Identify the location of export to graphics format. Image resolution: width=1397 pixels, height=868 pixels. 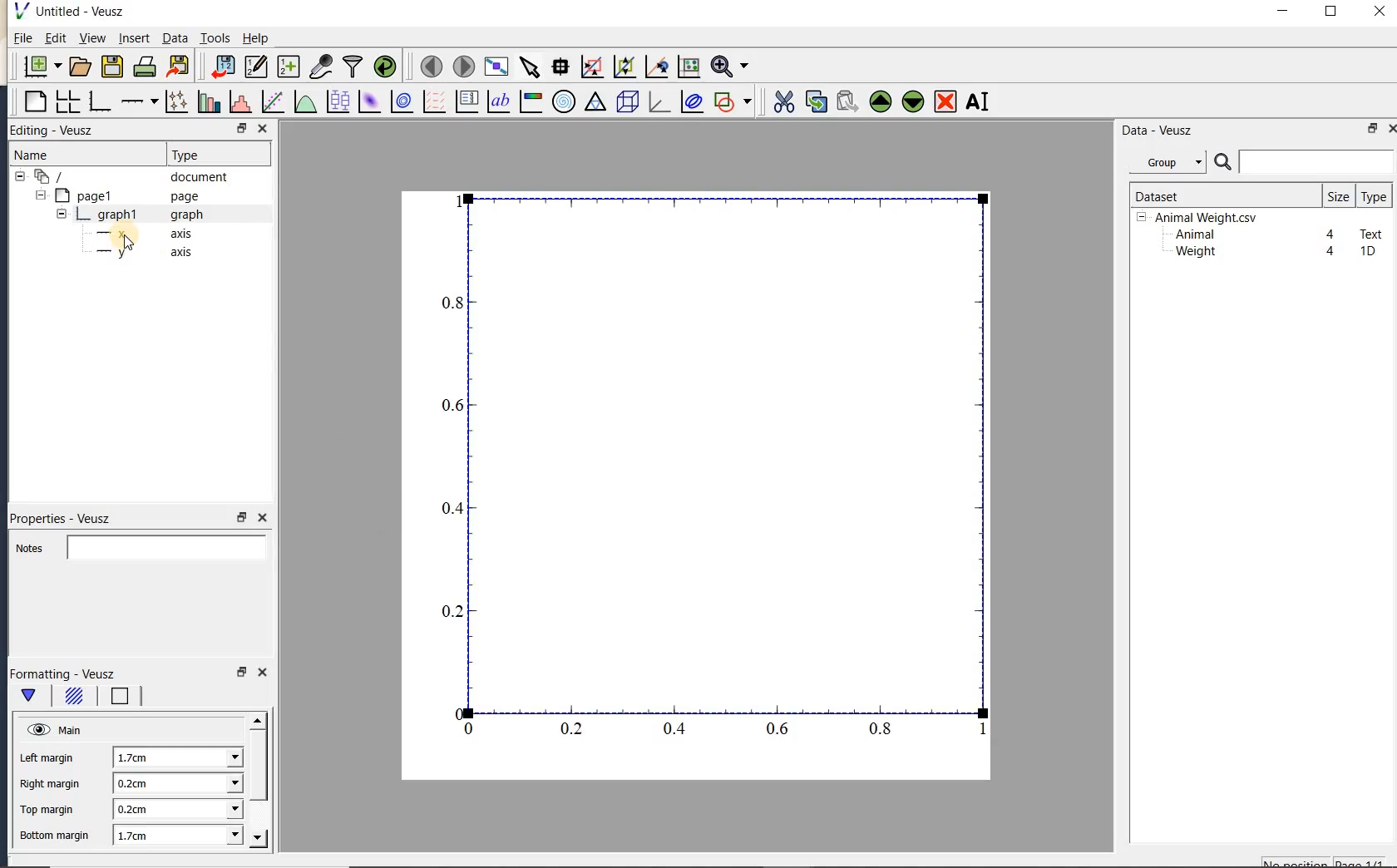
(179, 65).